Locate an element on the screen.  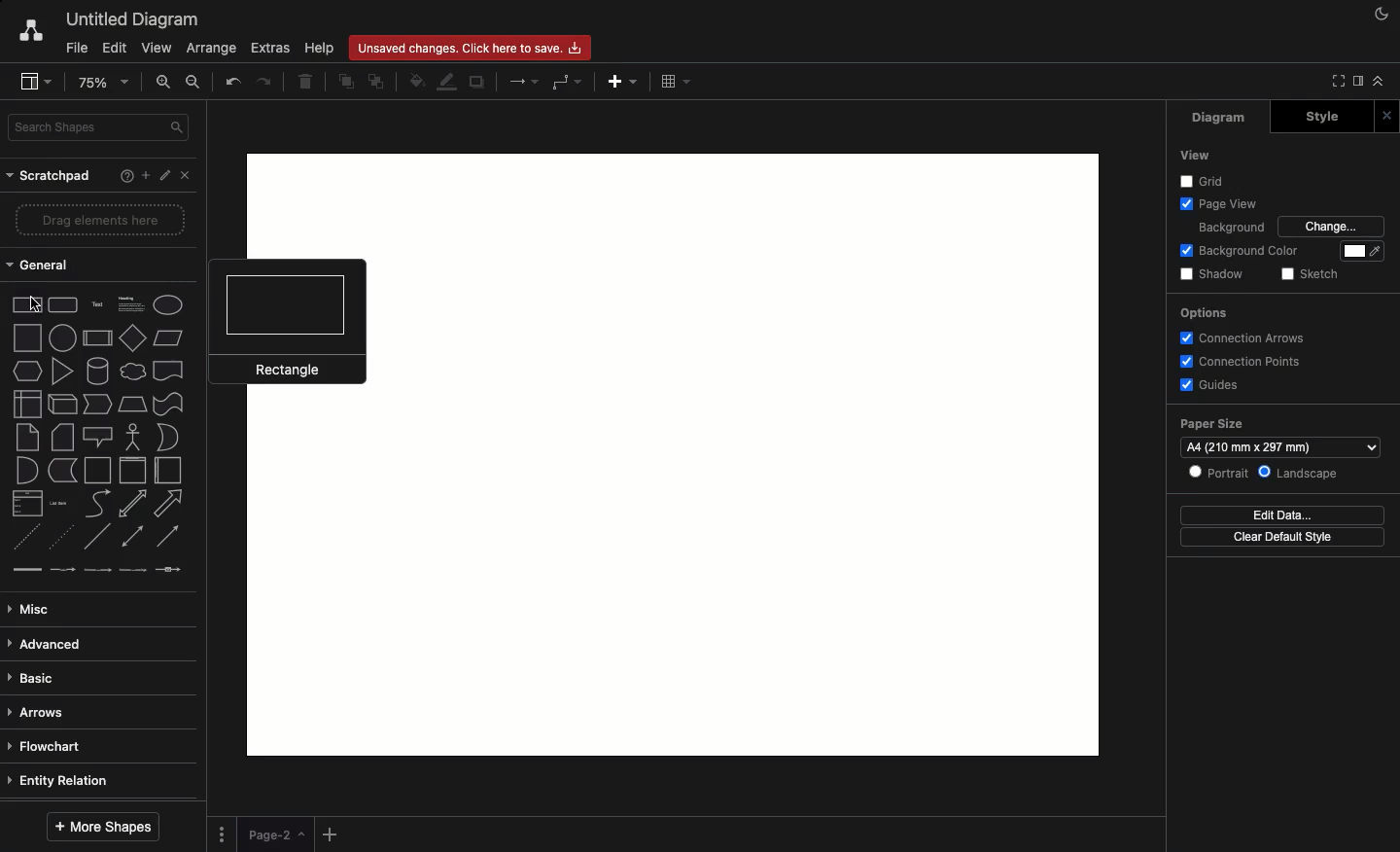
Drag elements here is located at coordinates (103, 219).